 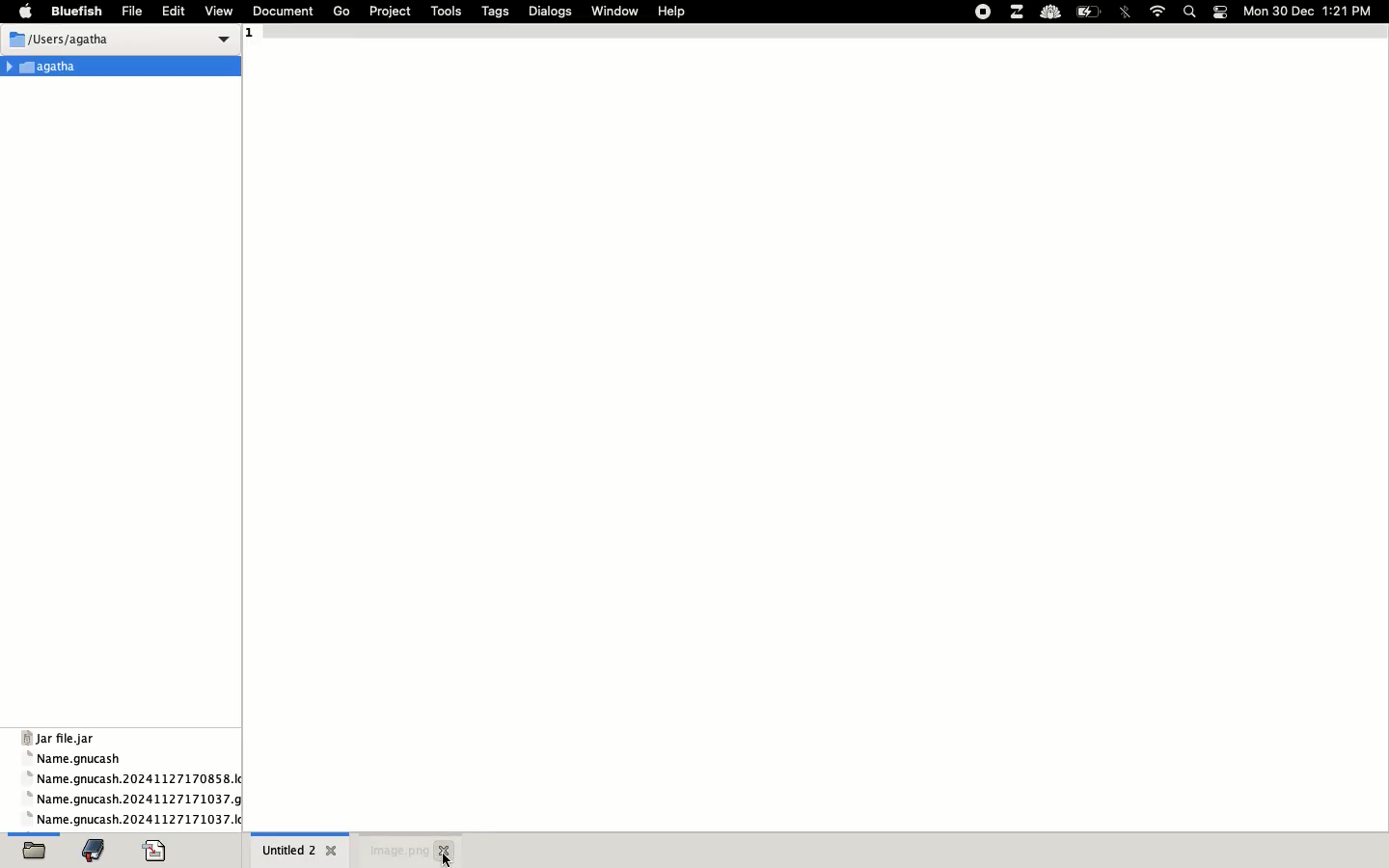 What do you see at coordinates (134, 799) in the screenshot?
I see `name gnucash` at bounding box center [134, 799].